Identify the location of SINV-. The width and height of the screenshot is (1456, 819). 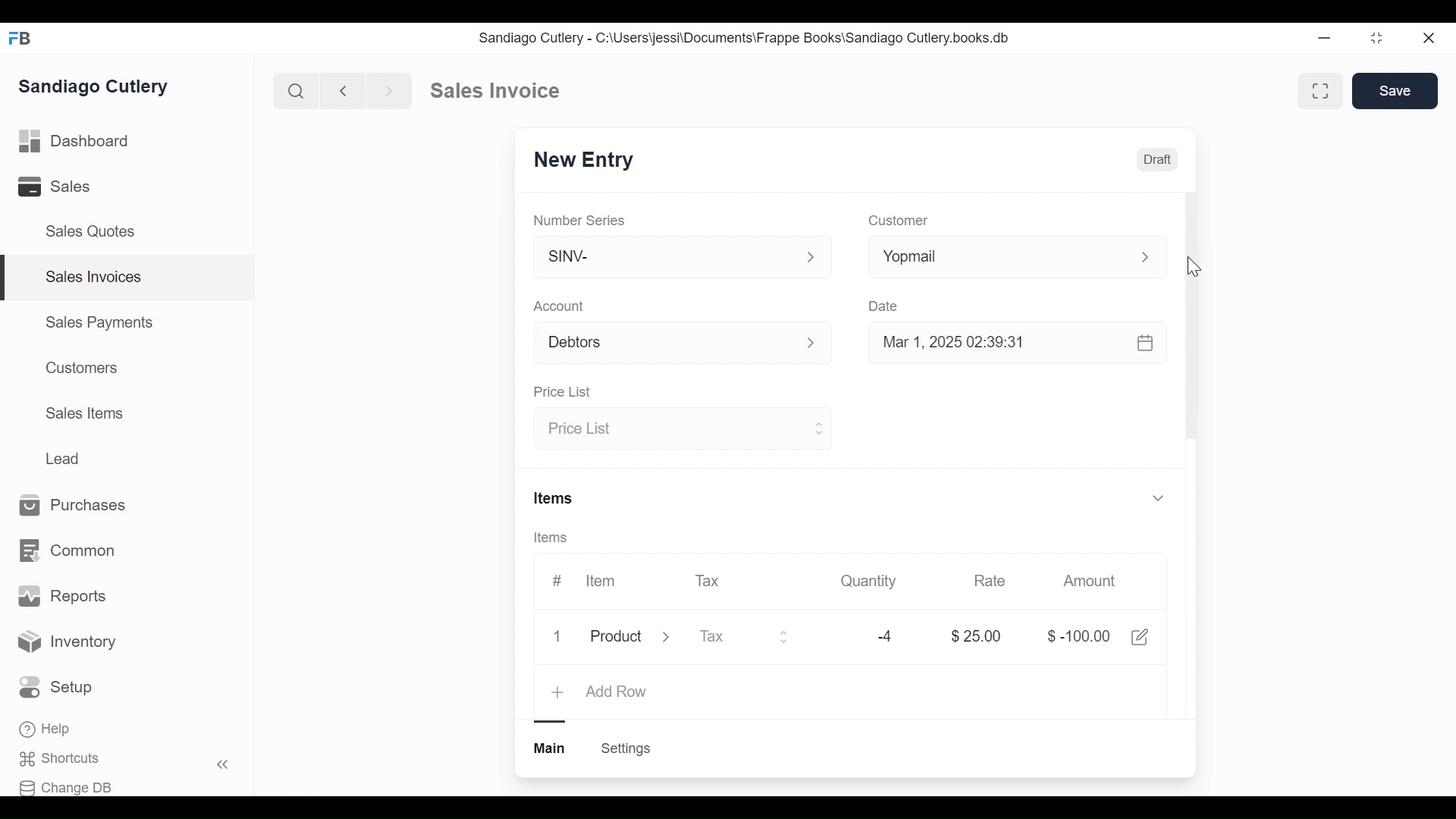
(676, 255).